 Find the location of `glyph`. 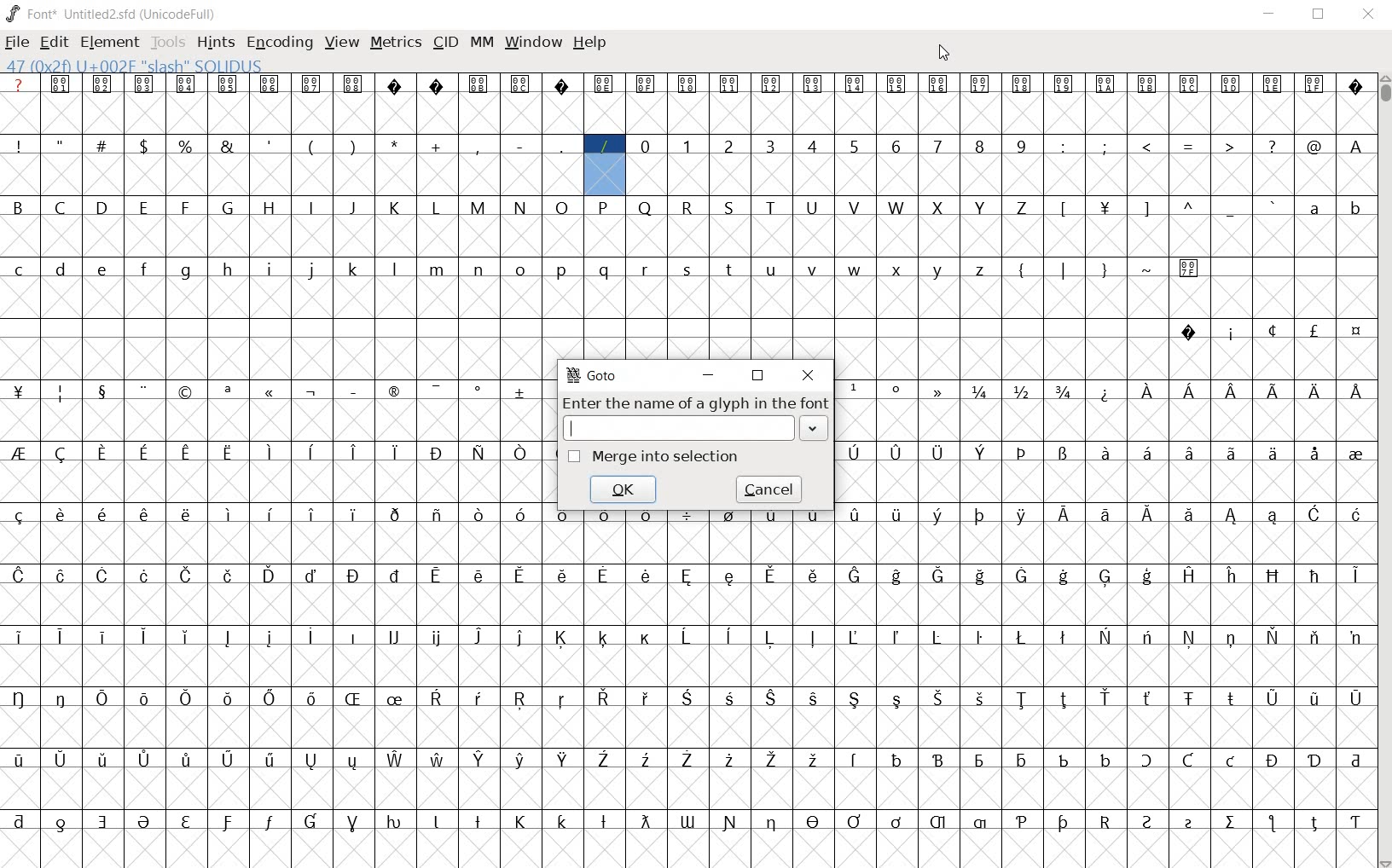

glyph is located at coordinates (1105, 636).